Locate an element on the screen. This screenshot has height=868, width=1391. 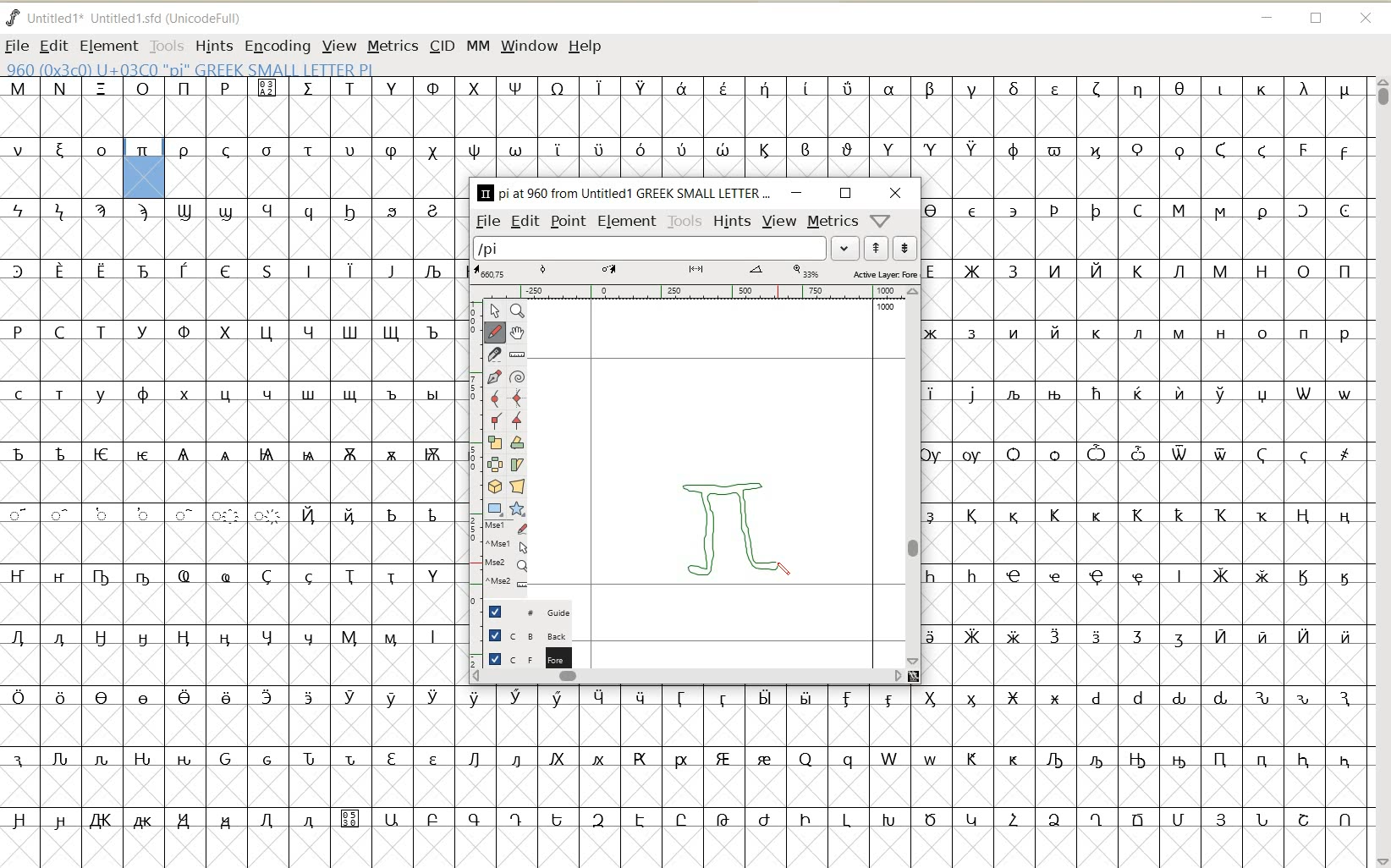
Glyph characters and numbers is located at coordinates (226, 474).